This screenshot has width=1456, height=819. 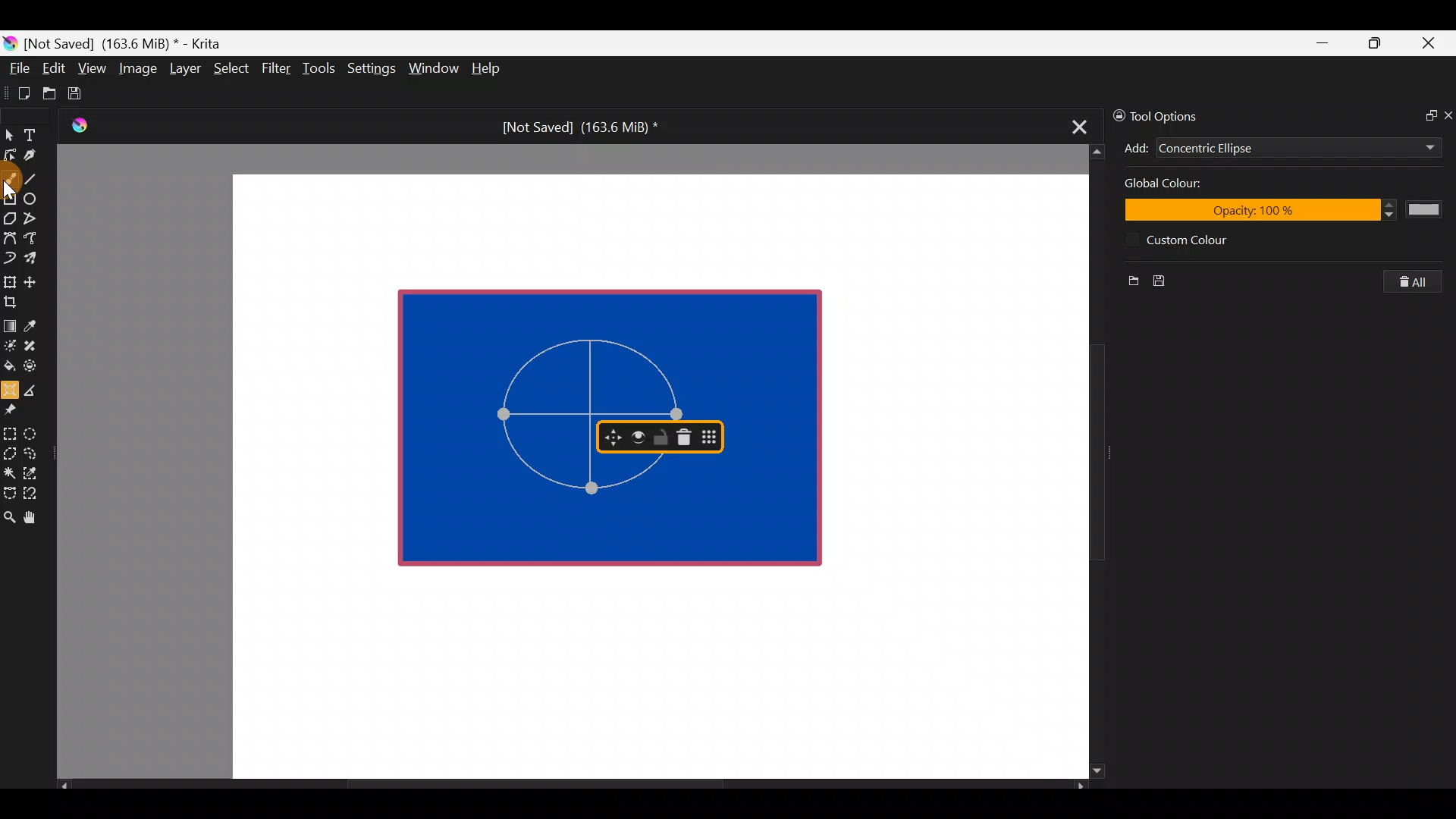 I want to click on Move docker, so click(x=711, y=435).